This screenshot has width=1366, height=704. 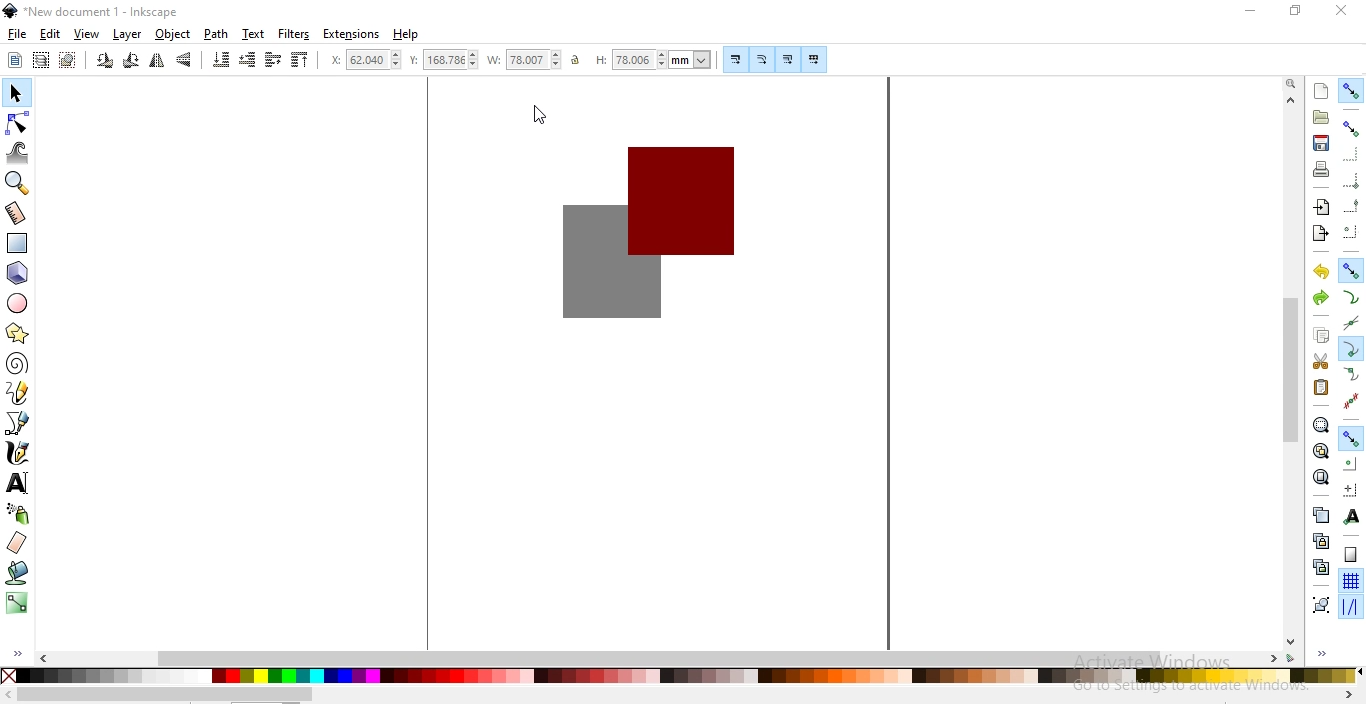 What do you see at coordinates (20, 153) in the screenshot?
I see `tweak objects by sculpting or painting` at bounding box center [20, 153].